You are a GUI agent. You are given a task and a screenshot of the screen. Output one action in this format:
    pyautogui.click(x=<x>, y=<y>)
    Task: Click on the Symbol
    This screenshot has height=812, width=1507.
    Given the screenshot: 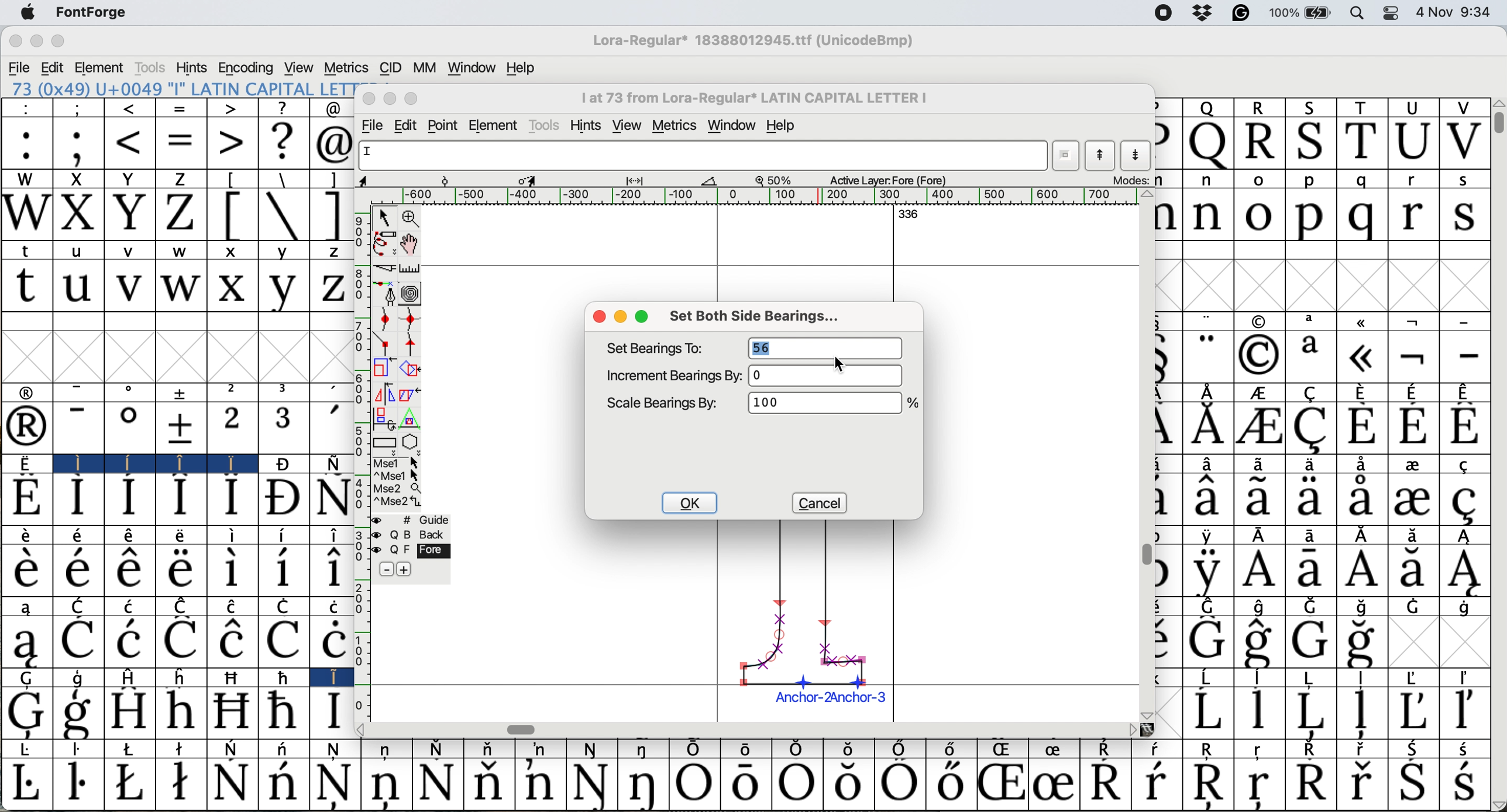 What is the action you would take?
    pyautogui.click(x=1108, y=782)
    